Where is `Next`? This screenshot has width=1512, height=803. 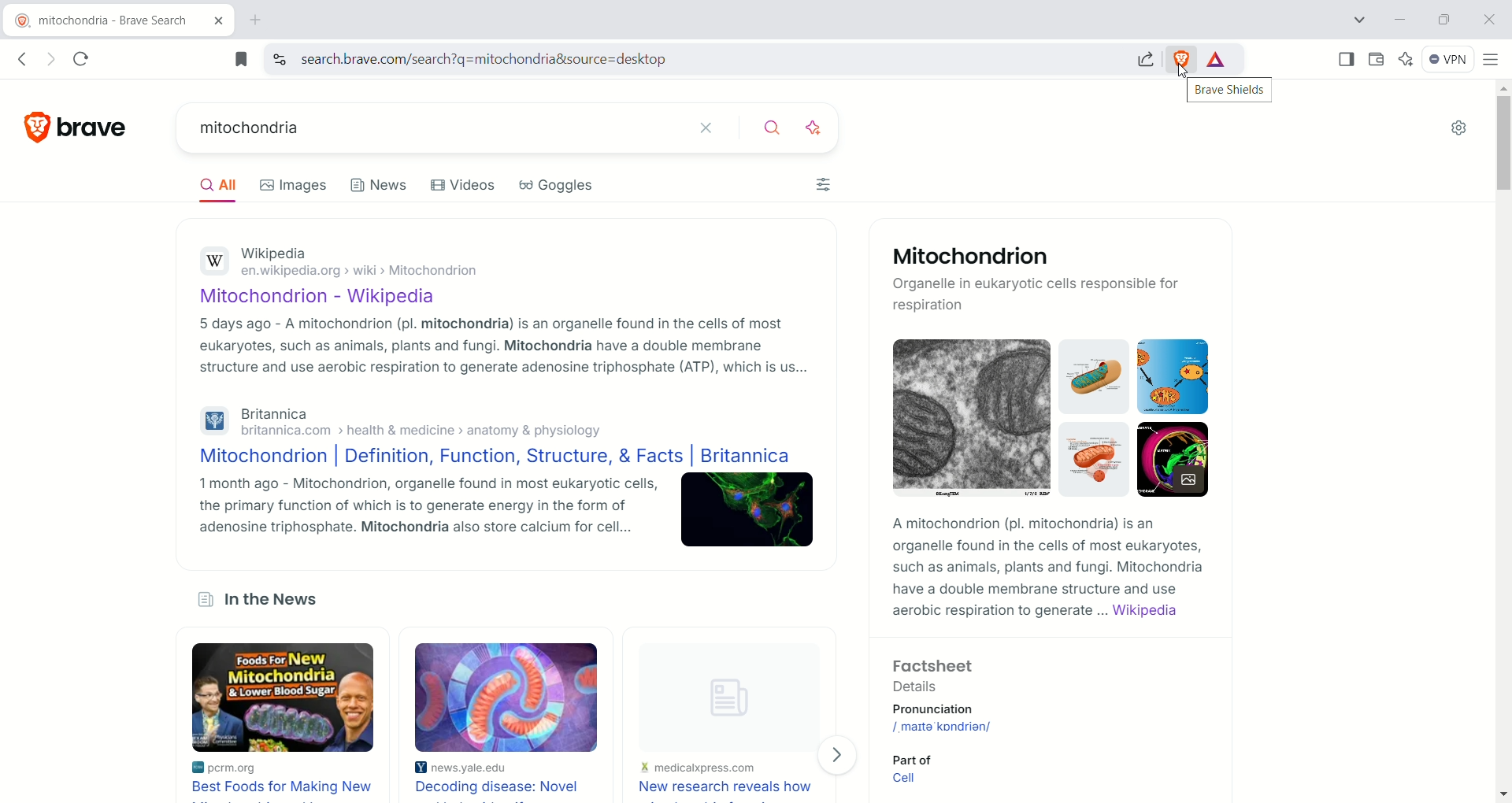
Next is located at coordinates (839, 756).